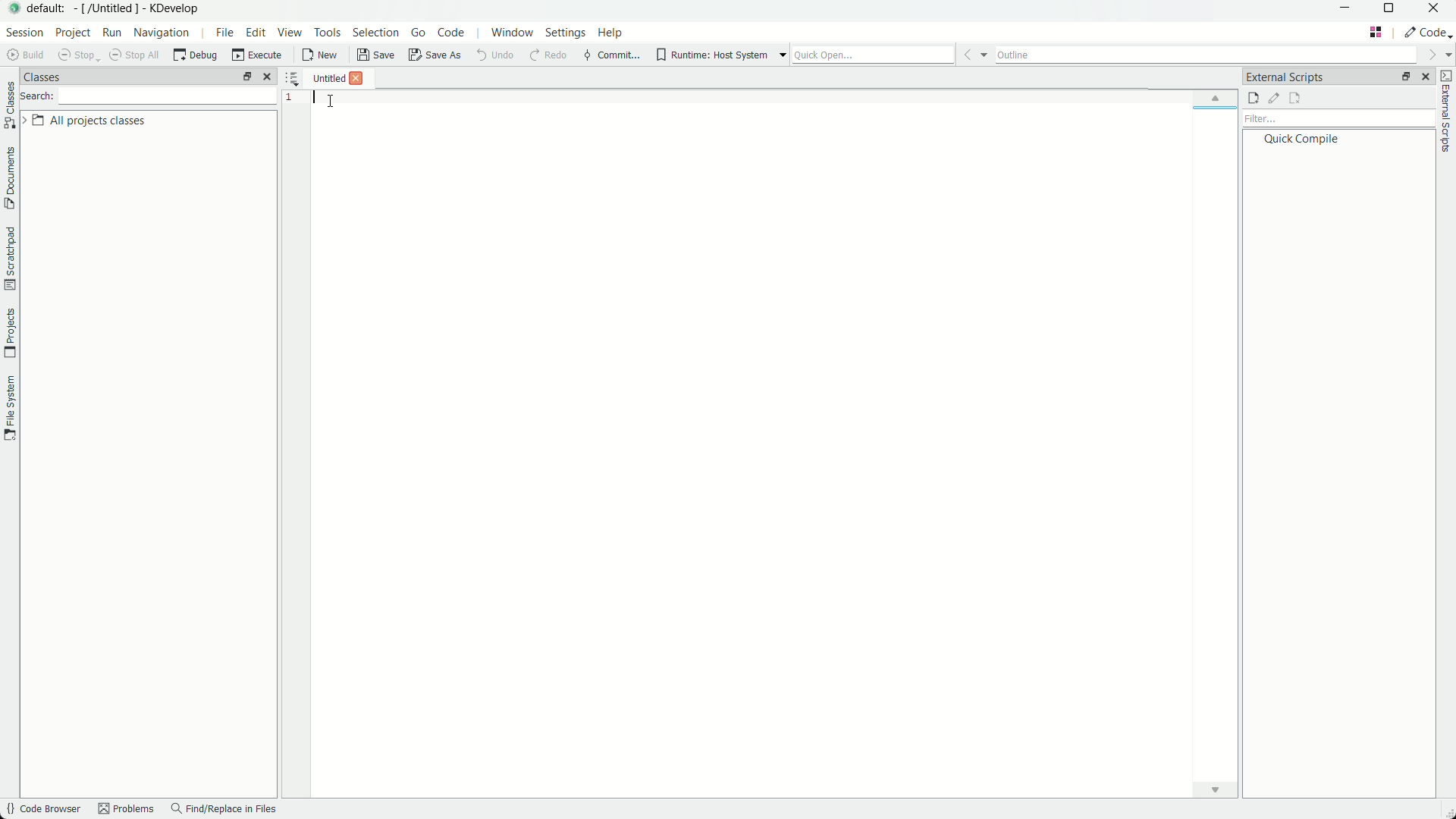 The image size is (1456, 819). I want to click on redo, so click(549, 56).